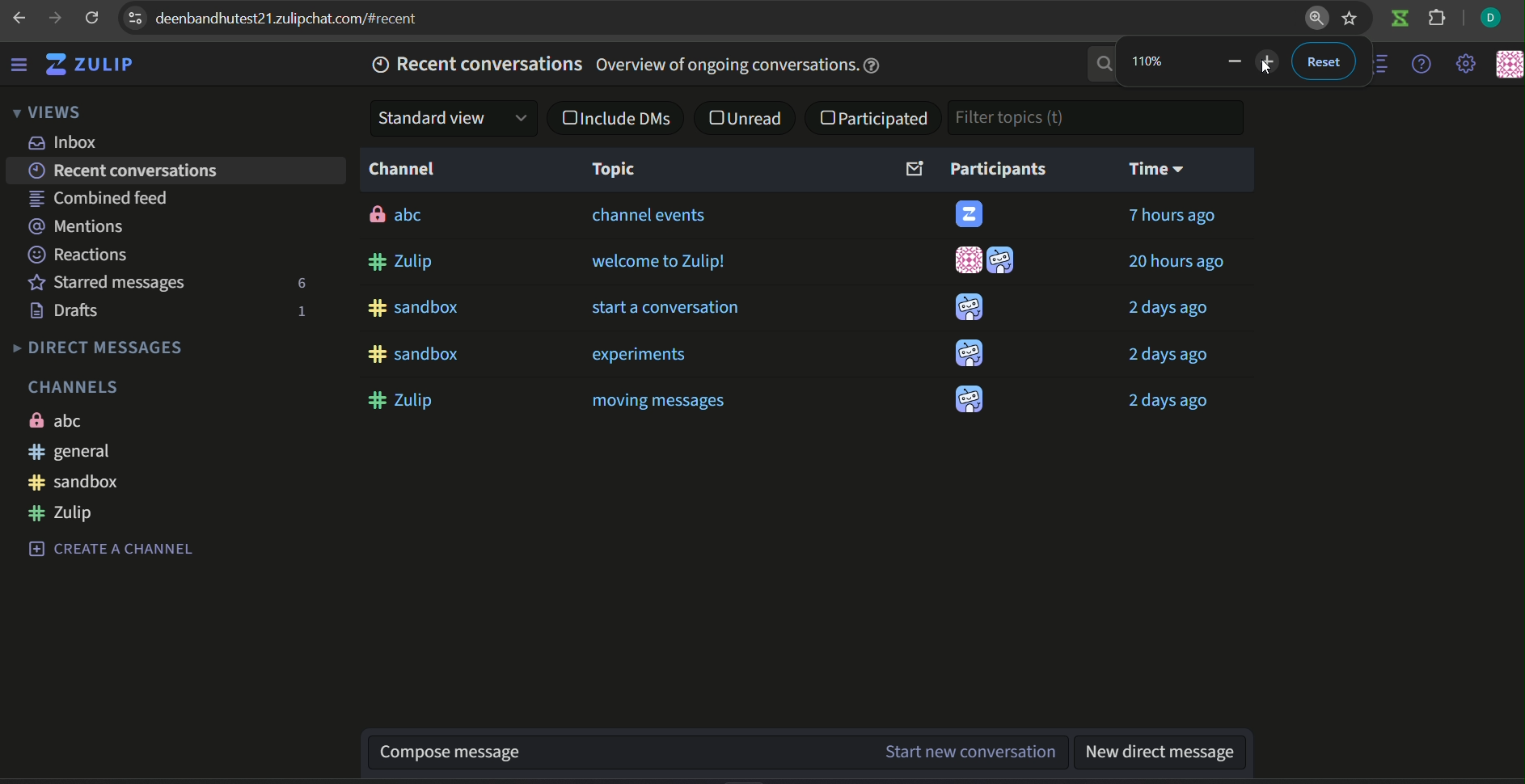 The height and width of the screenshot is (784, 1525). I want to click on extension, so click(1438, 20).